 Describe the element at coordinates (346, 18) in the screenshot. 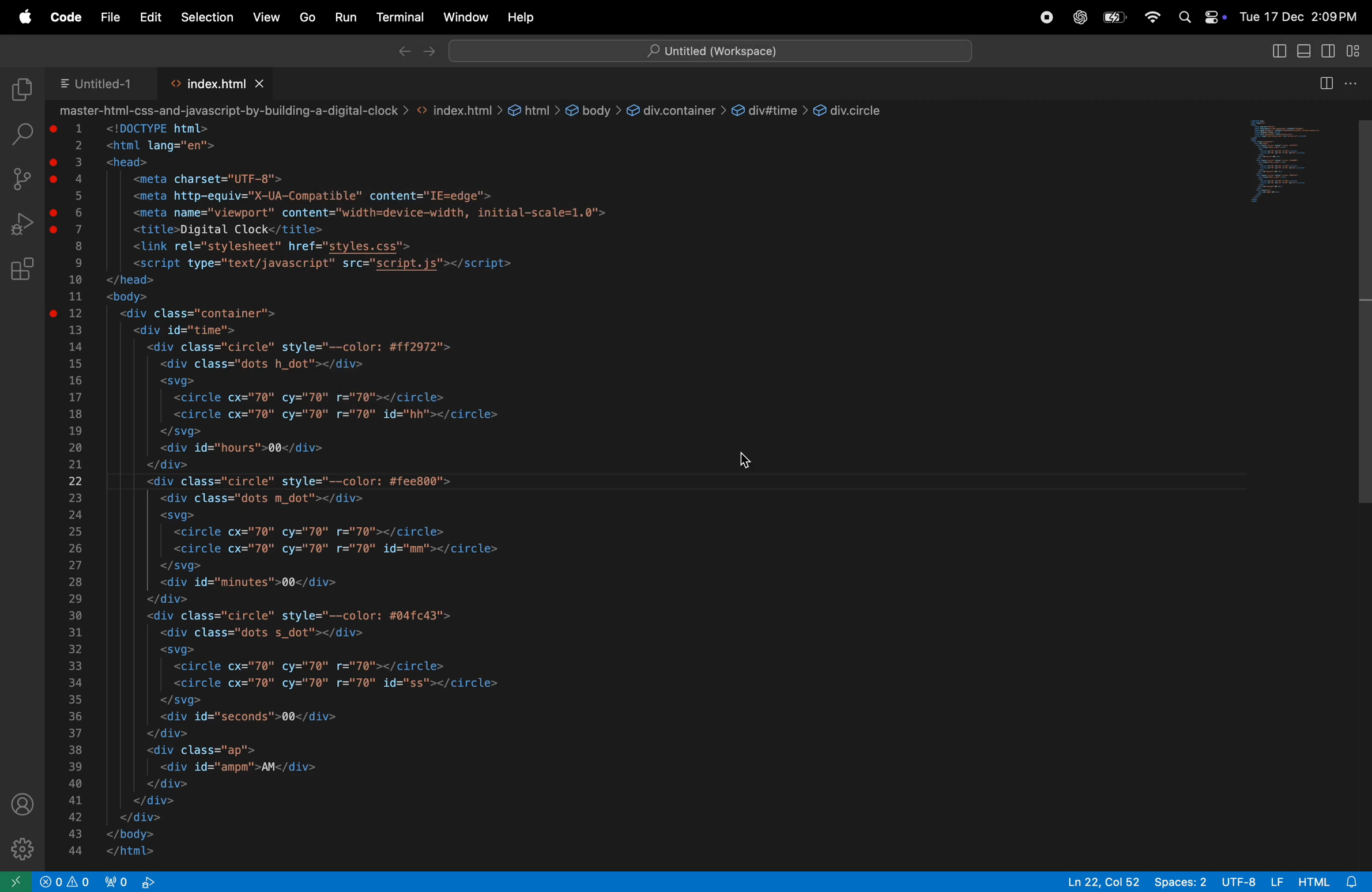

I see `run` at that location.